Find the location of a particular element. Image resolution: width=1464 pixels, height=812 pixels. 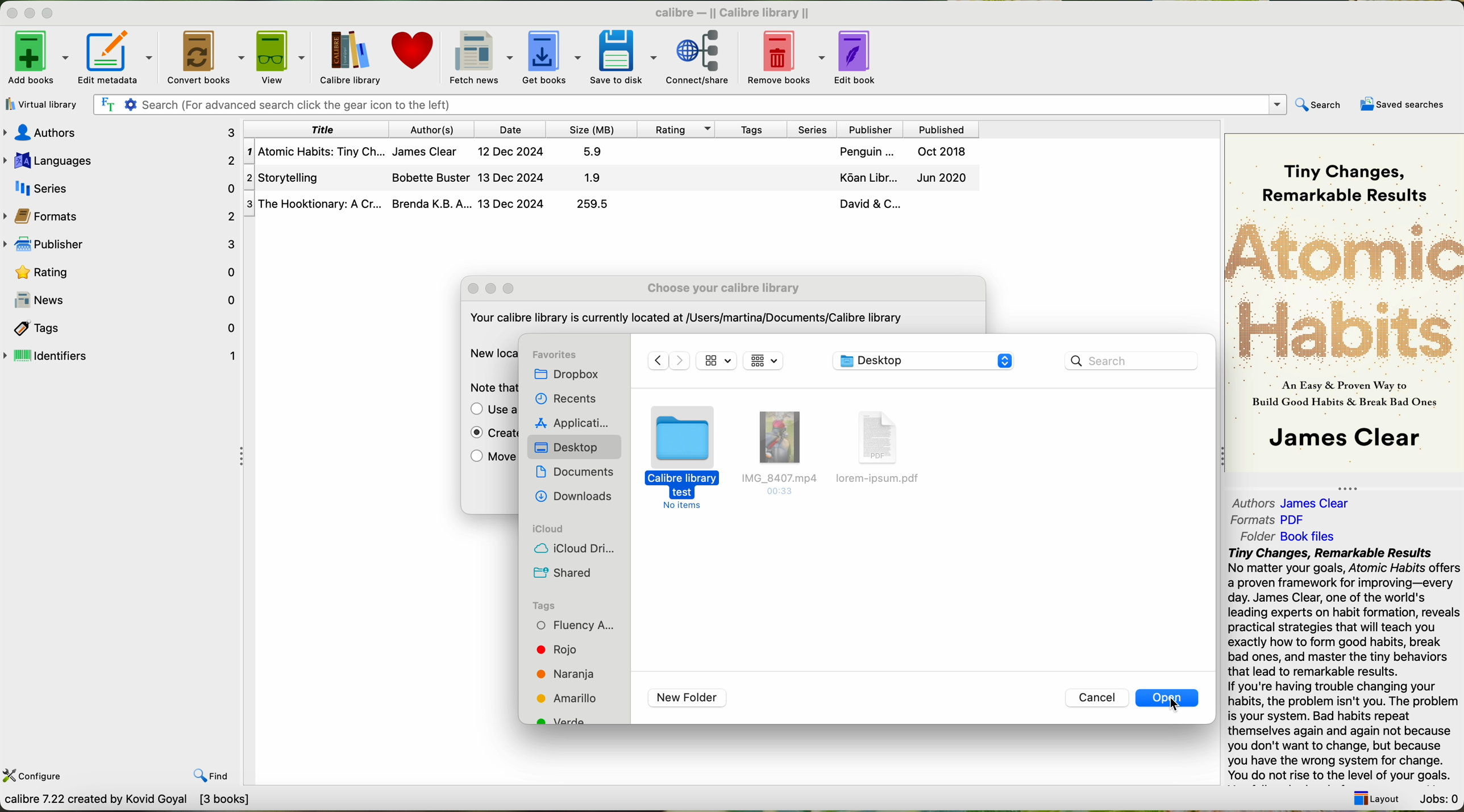

find is located at coordinates (202, 767).